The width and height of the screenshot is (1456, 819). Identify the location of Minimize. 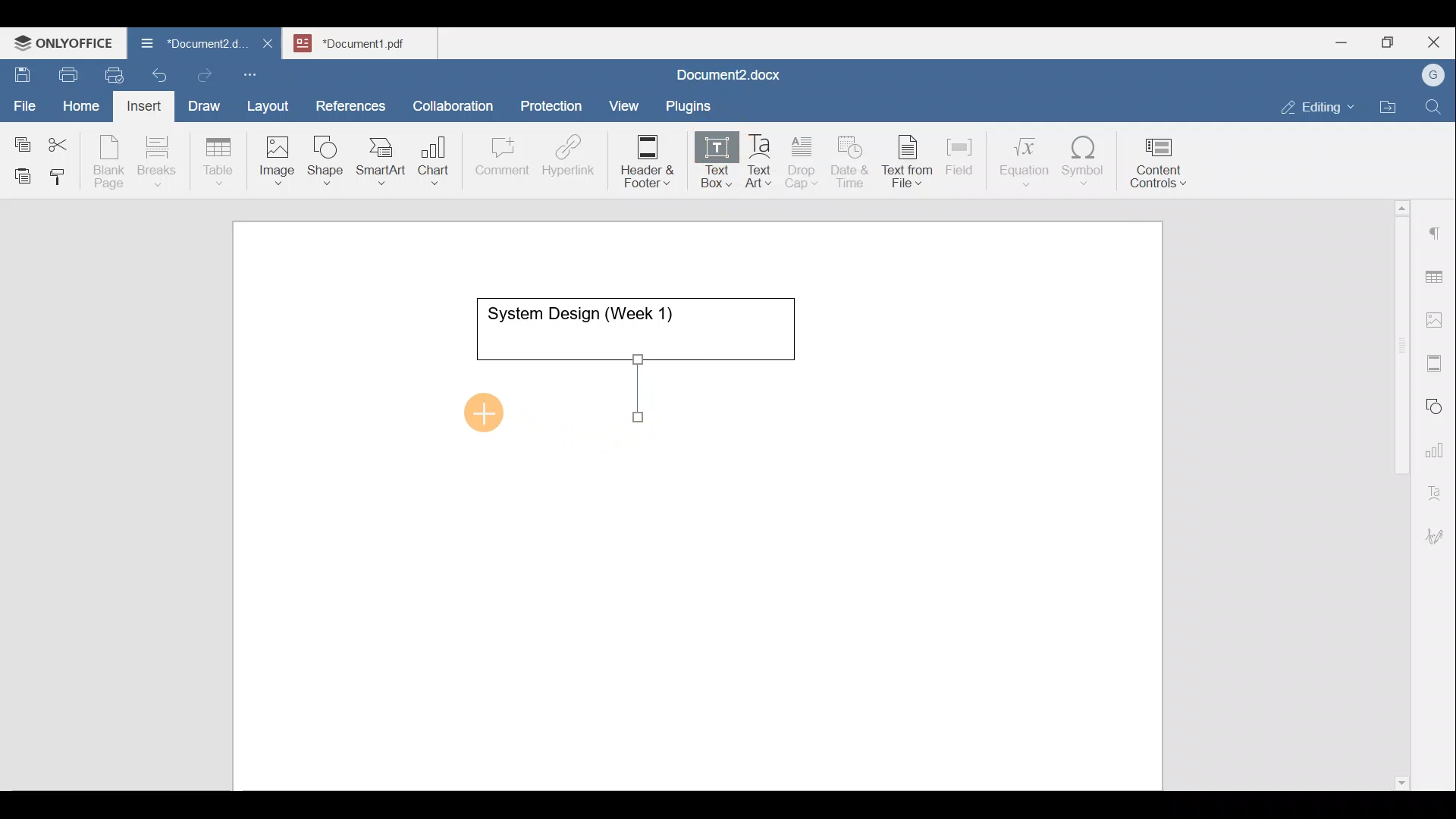
(1341, 41).